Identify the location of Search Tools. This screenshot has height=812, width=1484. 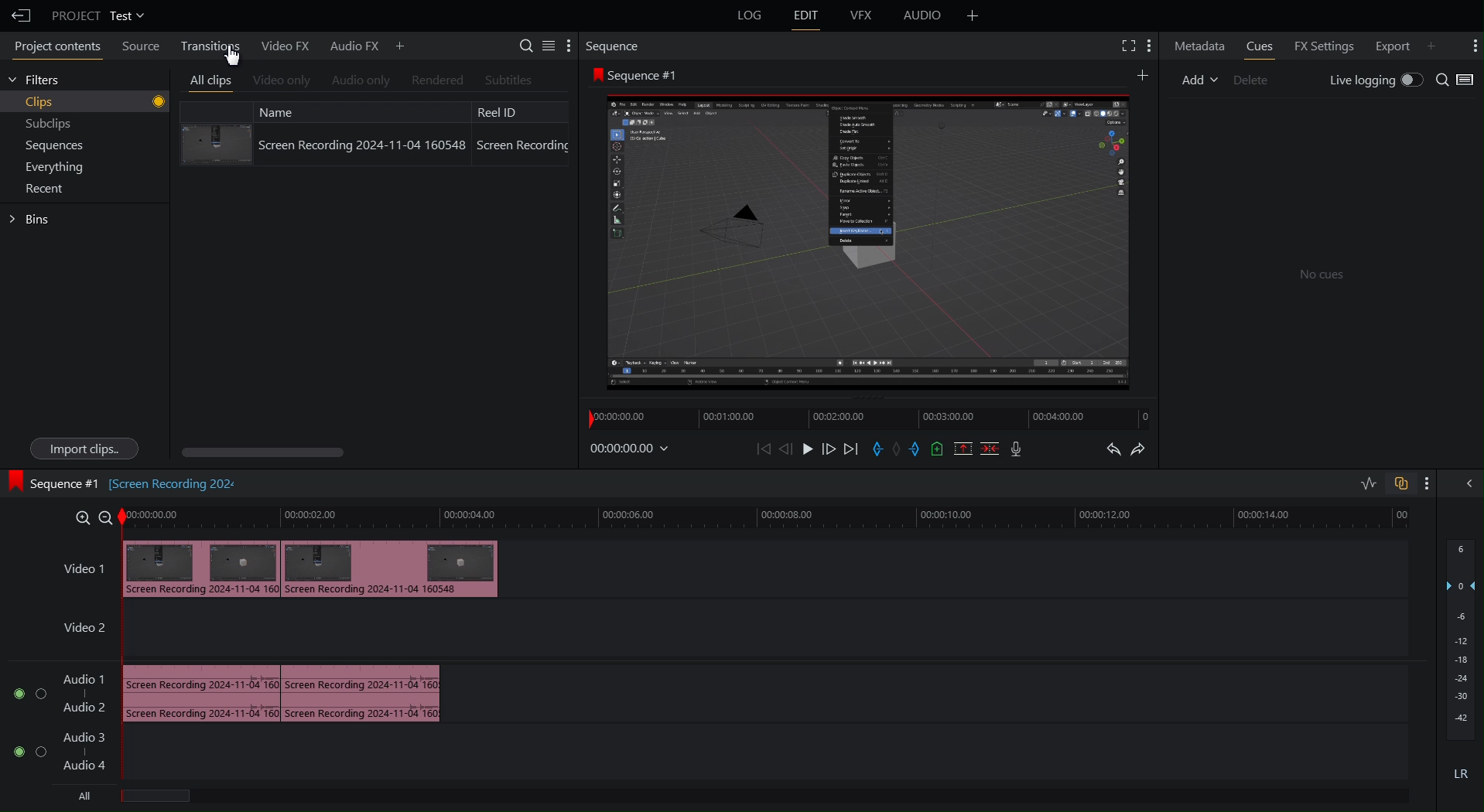
(542, 45).